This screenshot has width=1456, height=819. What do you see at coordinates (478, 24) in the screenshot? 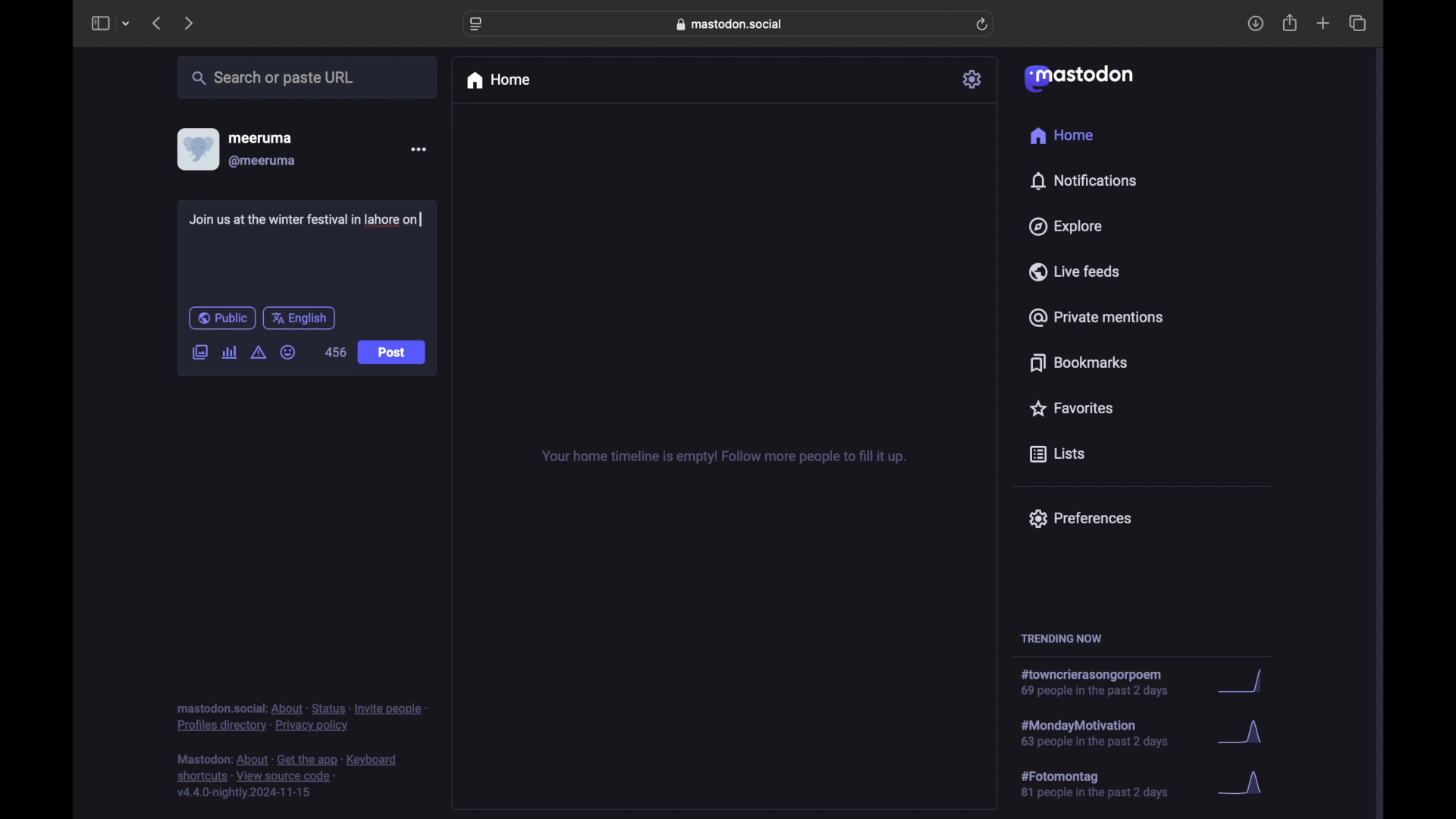
I see `website settings` at bounding box center [478, 24].